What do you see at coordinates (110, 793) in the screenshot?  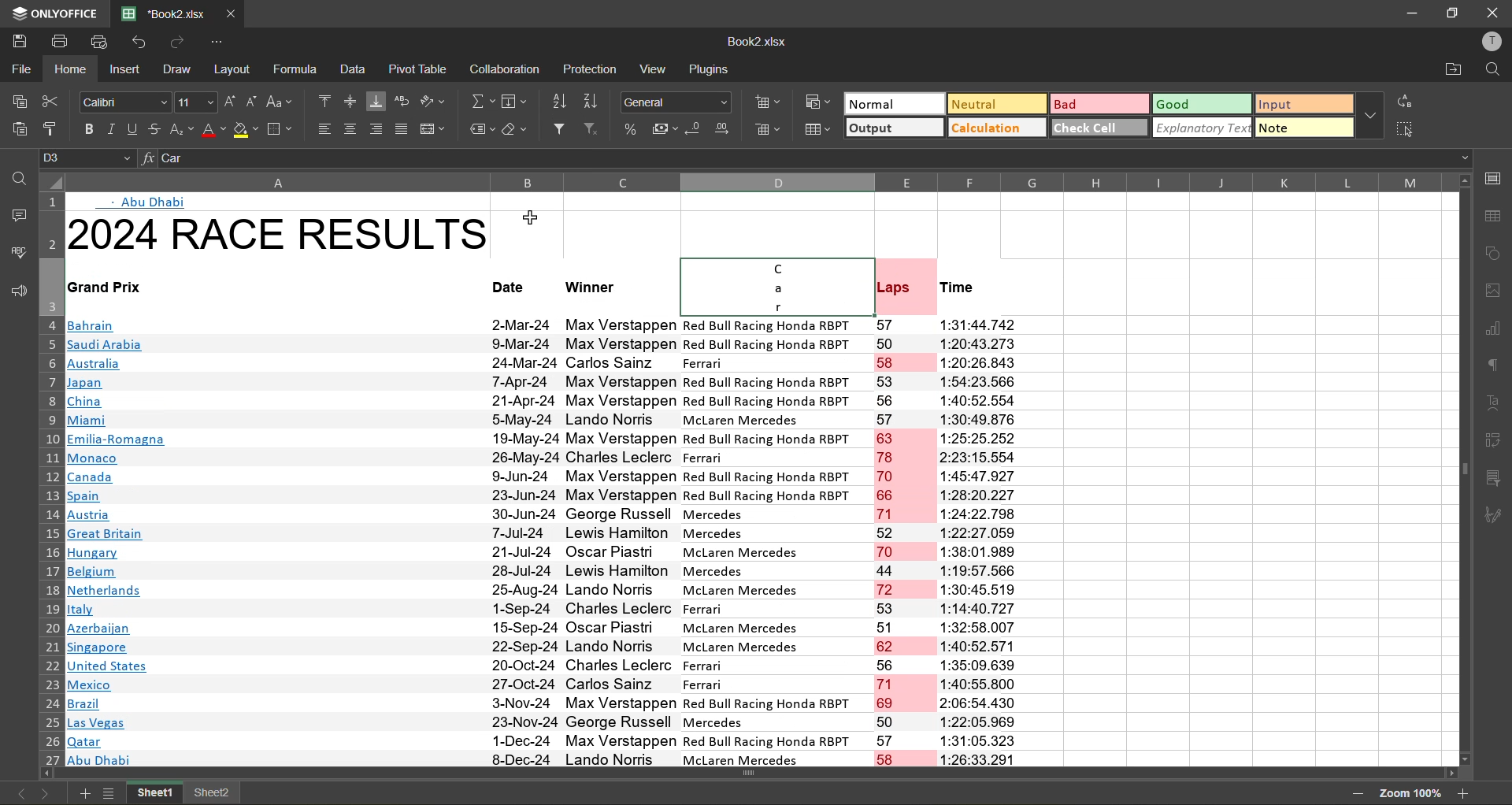 I see `sheet list` at bounding box center [110, 793].